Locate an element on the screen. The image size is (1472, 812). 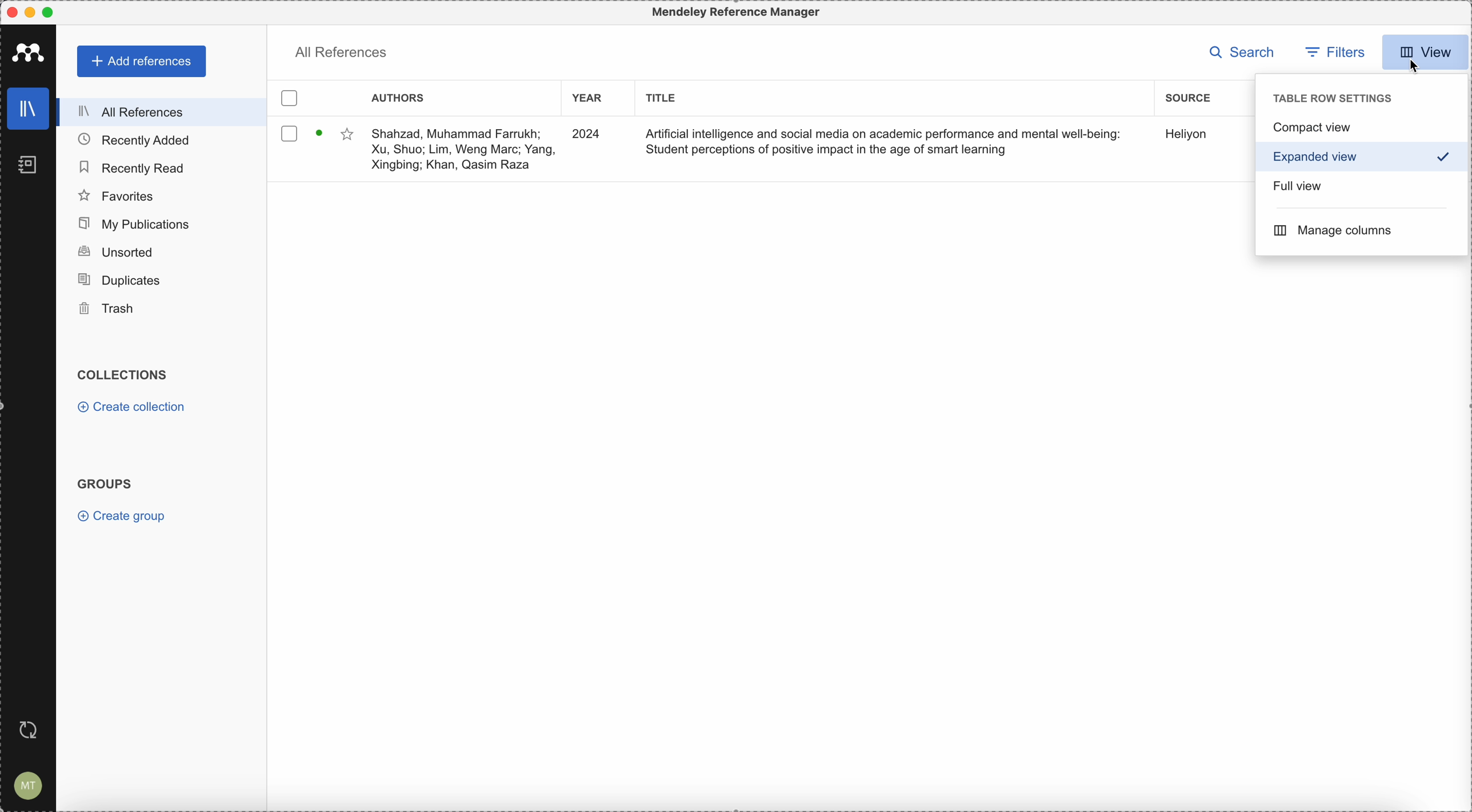
favorite is located at coordinates (347, 135).